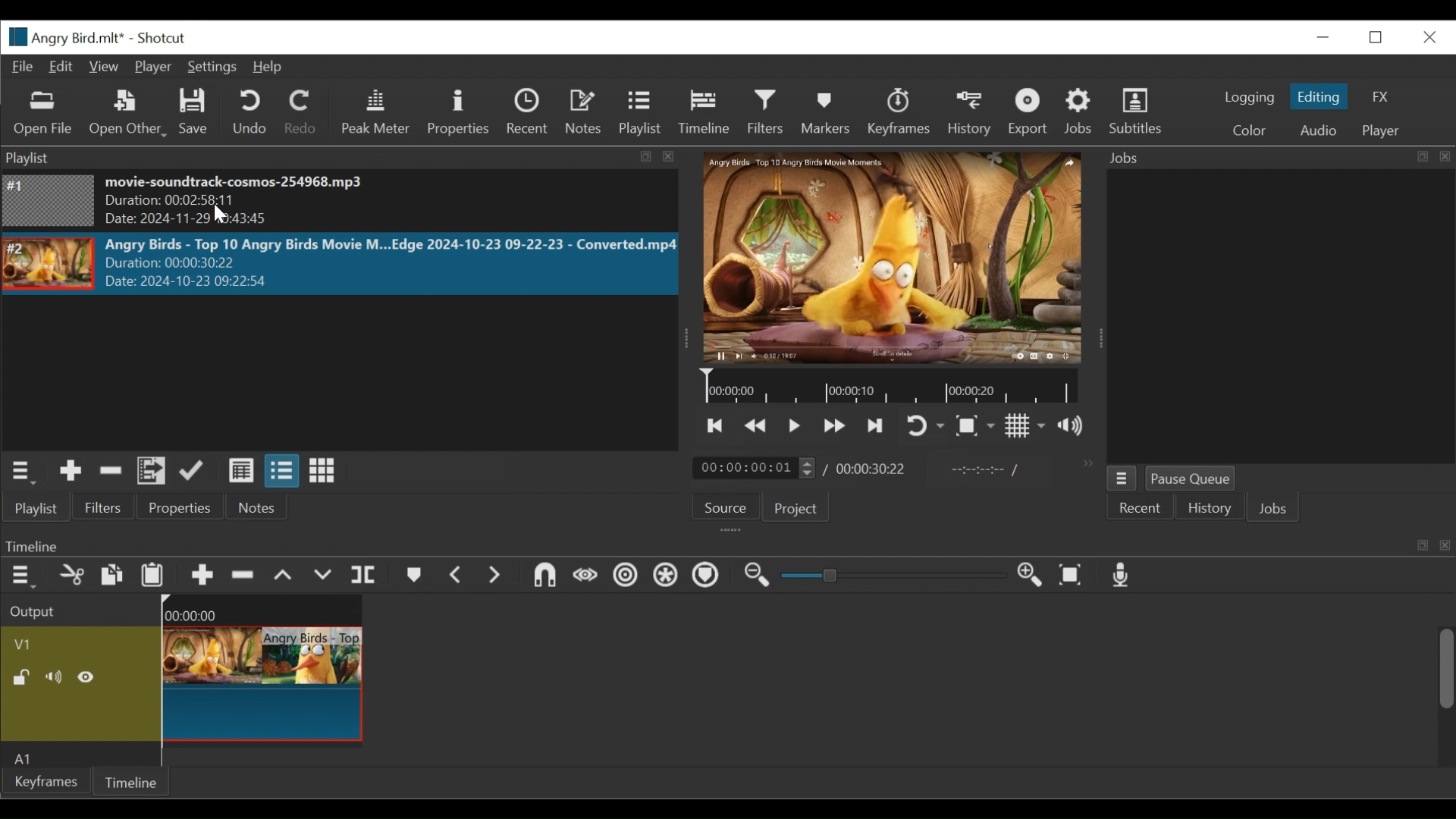 The height and width of the screenshot is (819, 1456). What do you see at coordinates (794, 508) in the screenshot?
I see `Project` at bounding box center [794, 508].